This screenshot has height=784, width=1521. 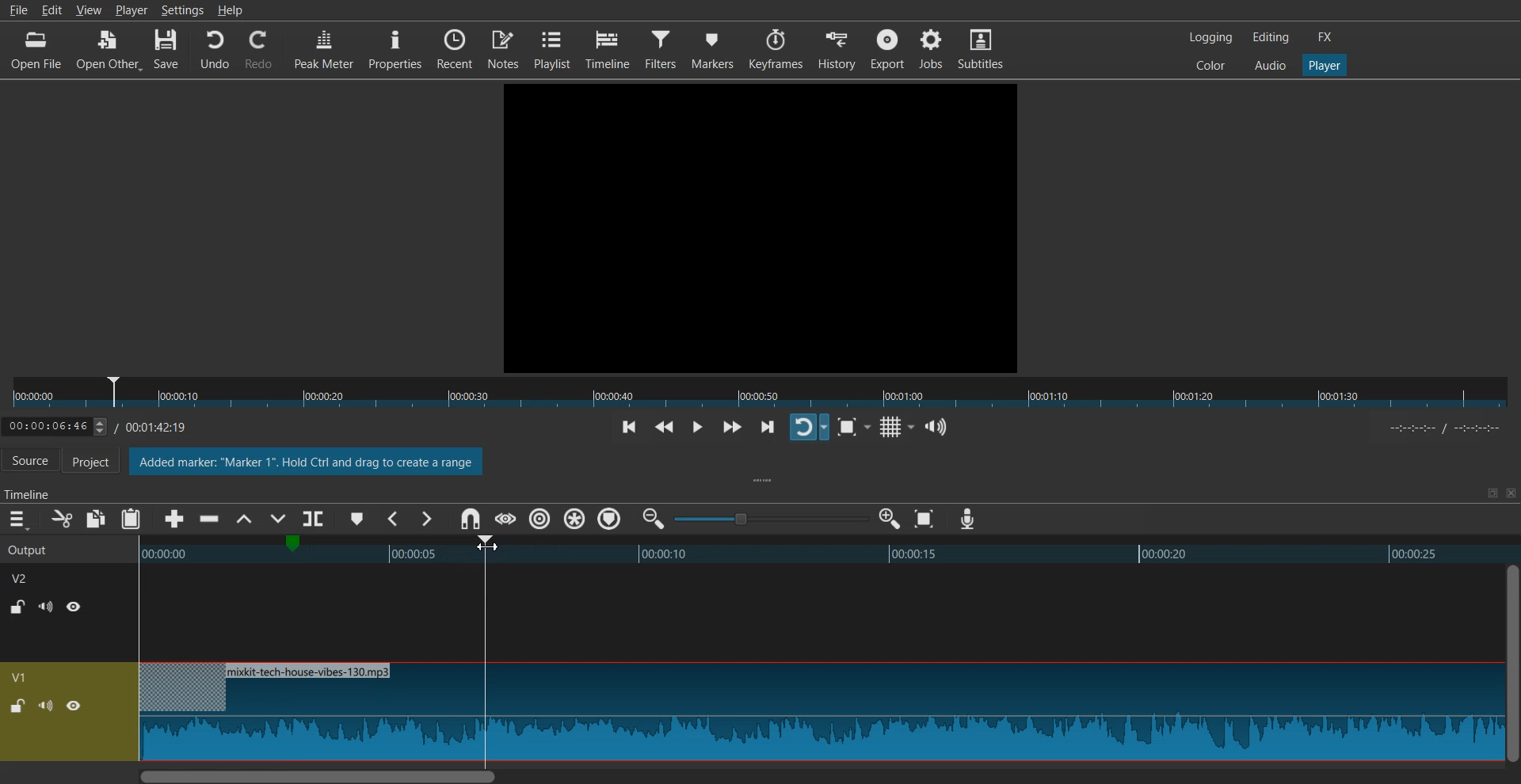 I want to click on Edit, so click(x=55, y=10).